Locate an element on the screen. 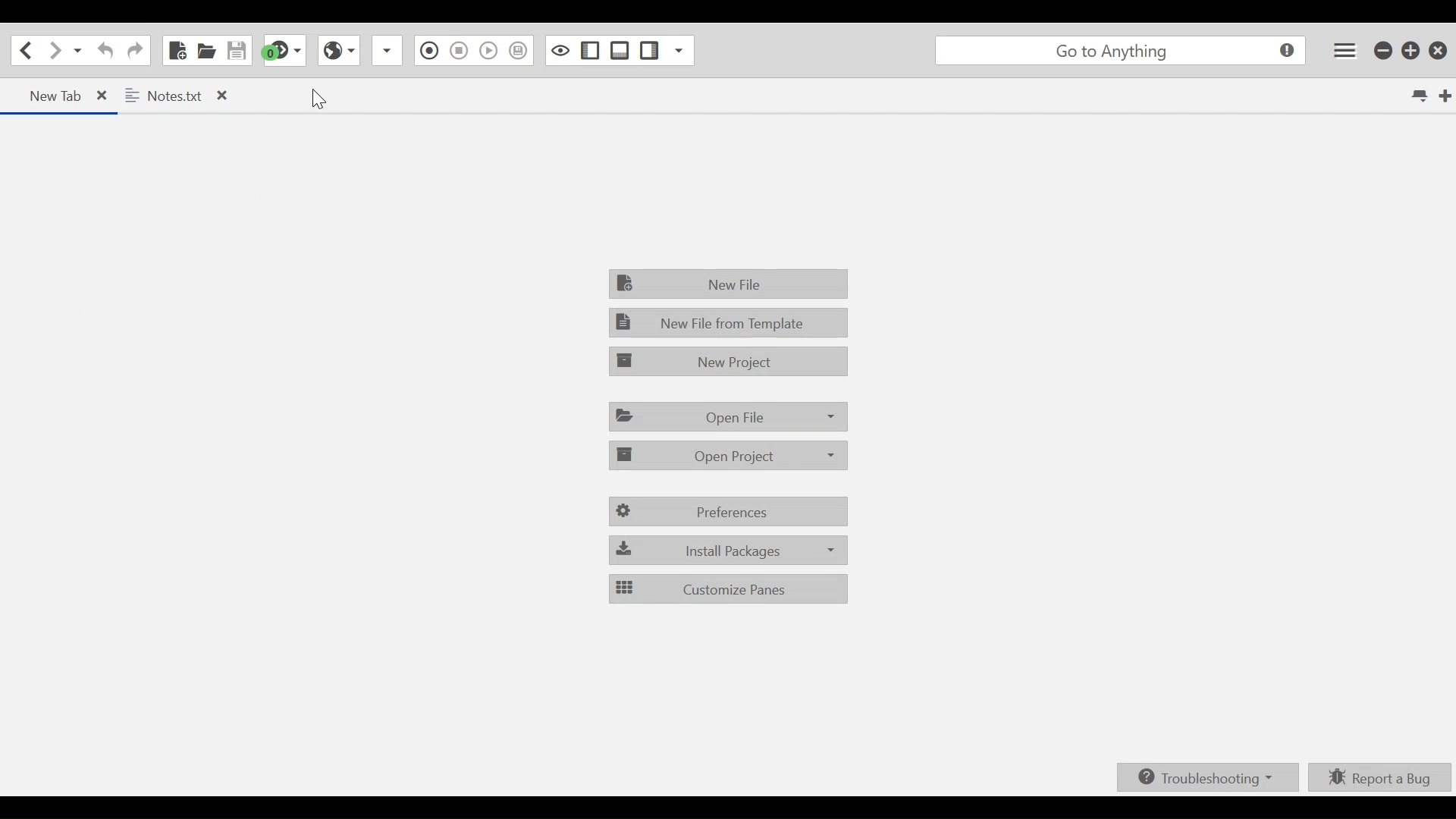  restore is located at coordinates (1412, 49).